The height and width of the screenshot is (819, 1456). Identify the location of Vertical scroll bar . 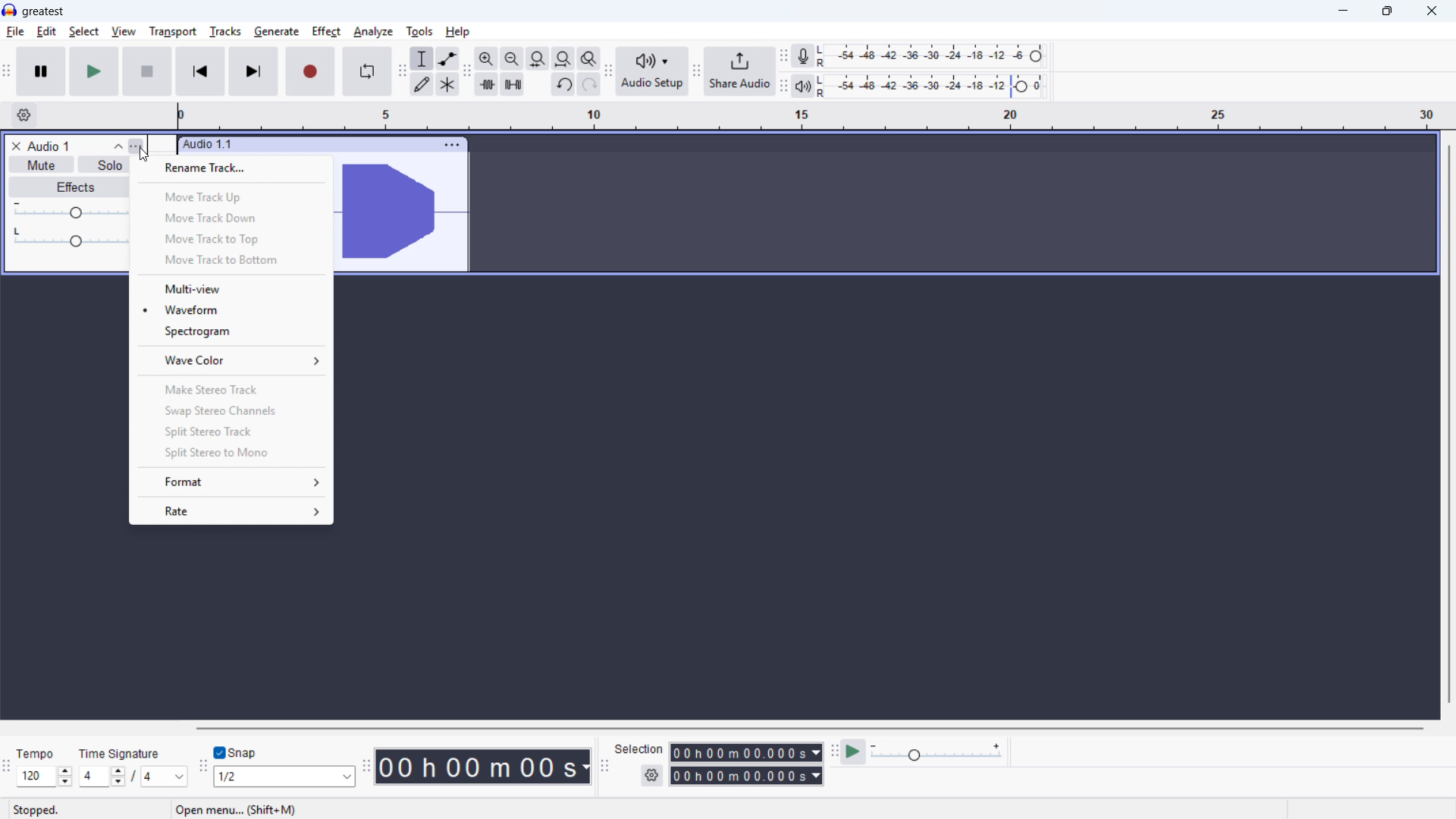
(1450, 424).